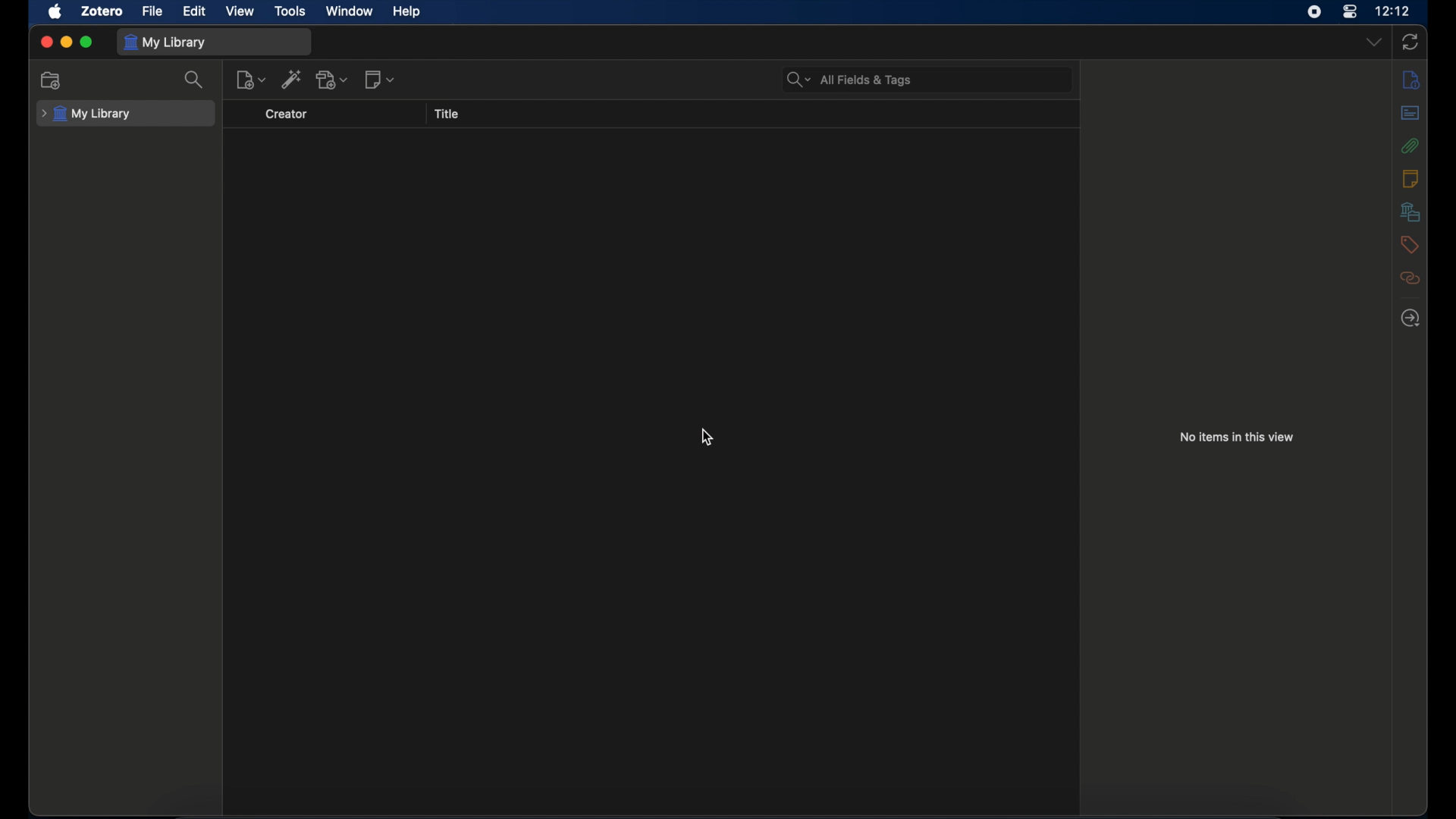  Describe the element at coordinates (194, 80) in the screenshot. I see `search` at that location.